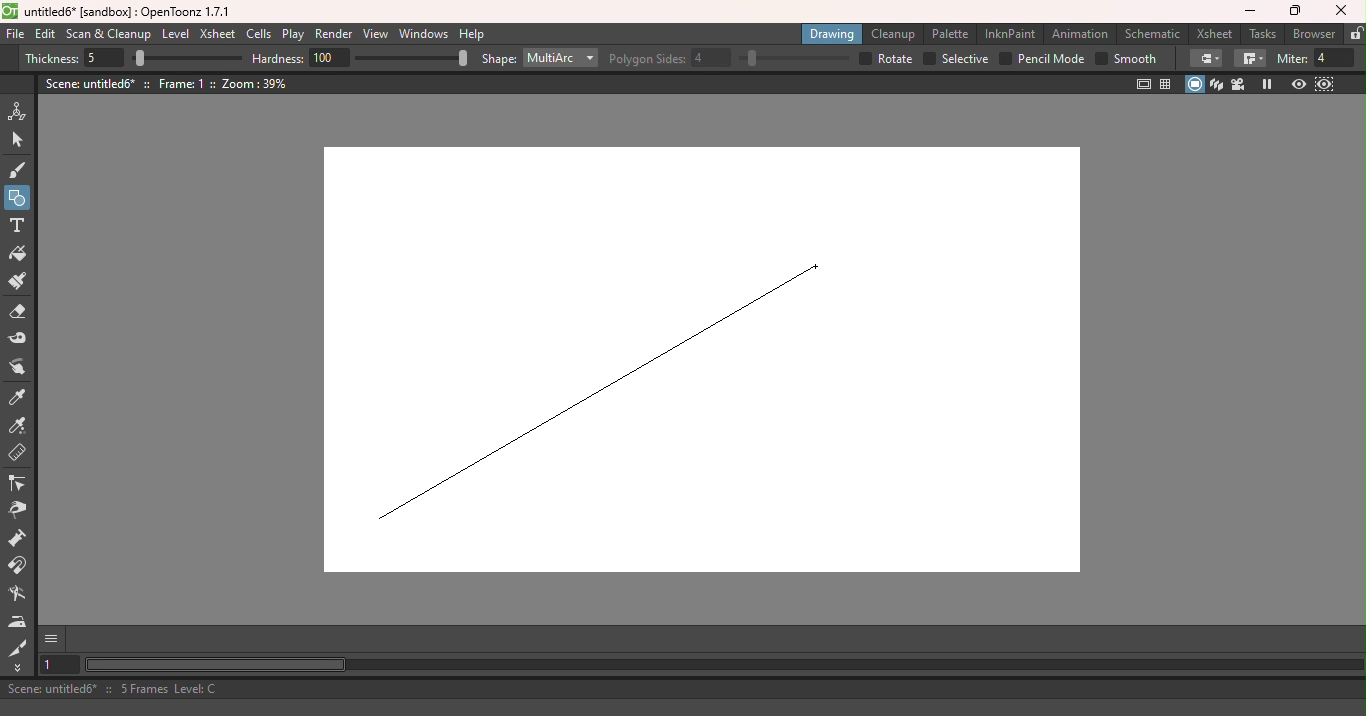  What do you see at coordinates (108, 34) in the screenshot?
I see `Scan & Cleanup` at bounding box center [108, 34].